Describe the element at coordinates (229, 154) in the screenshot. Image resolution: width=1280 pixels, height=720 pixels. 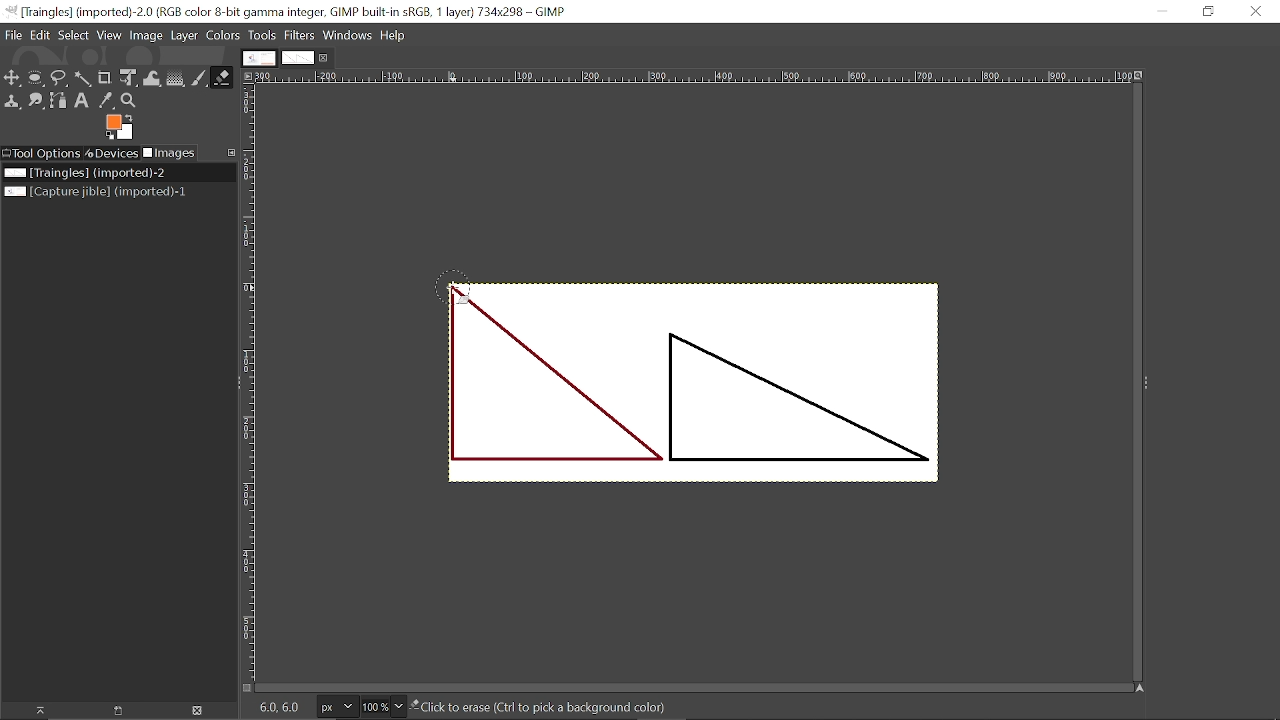
I see `Configure this tab` at that location.